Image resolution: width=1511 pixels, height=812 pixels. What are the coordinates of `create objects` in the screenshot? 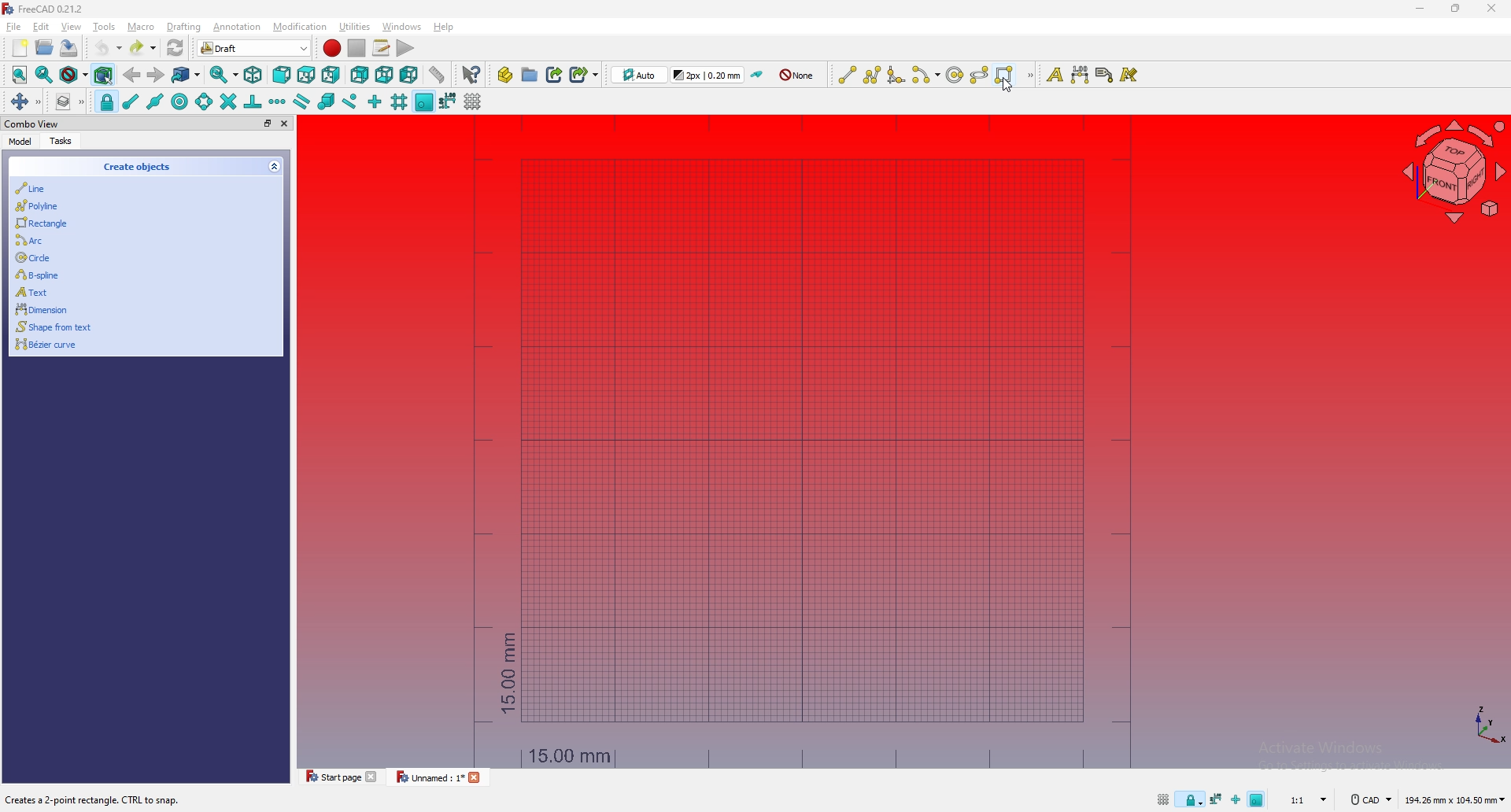 It's located at (138, 167).